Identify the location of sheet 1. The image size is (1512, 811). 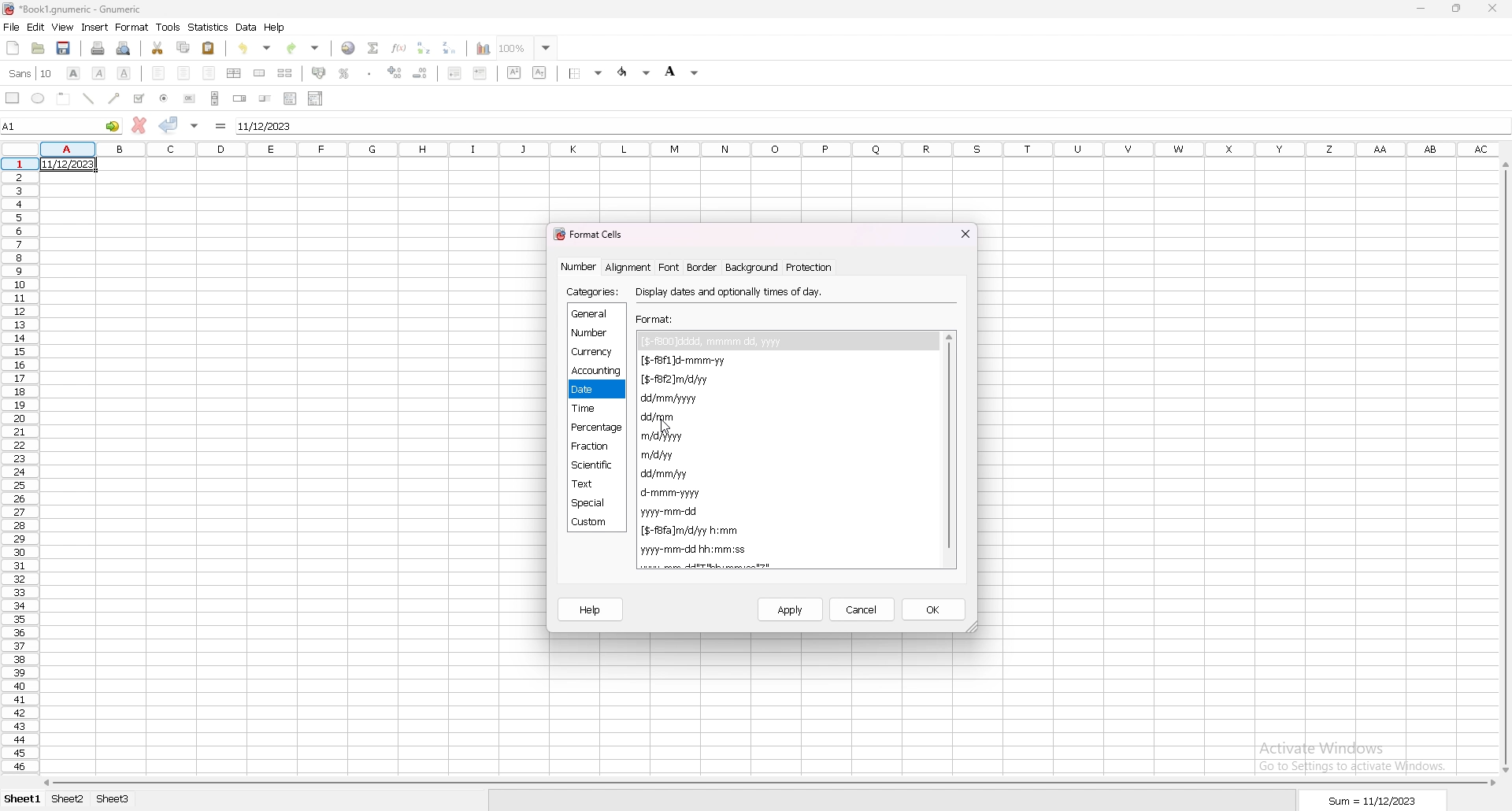
(24, 799).